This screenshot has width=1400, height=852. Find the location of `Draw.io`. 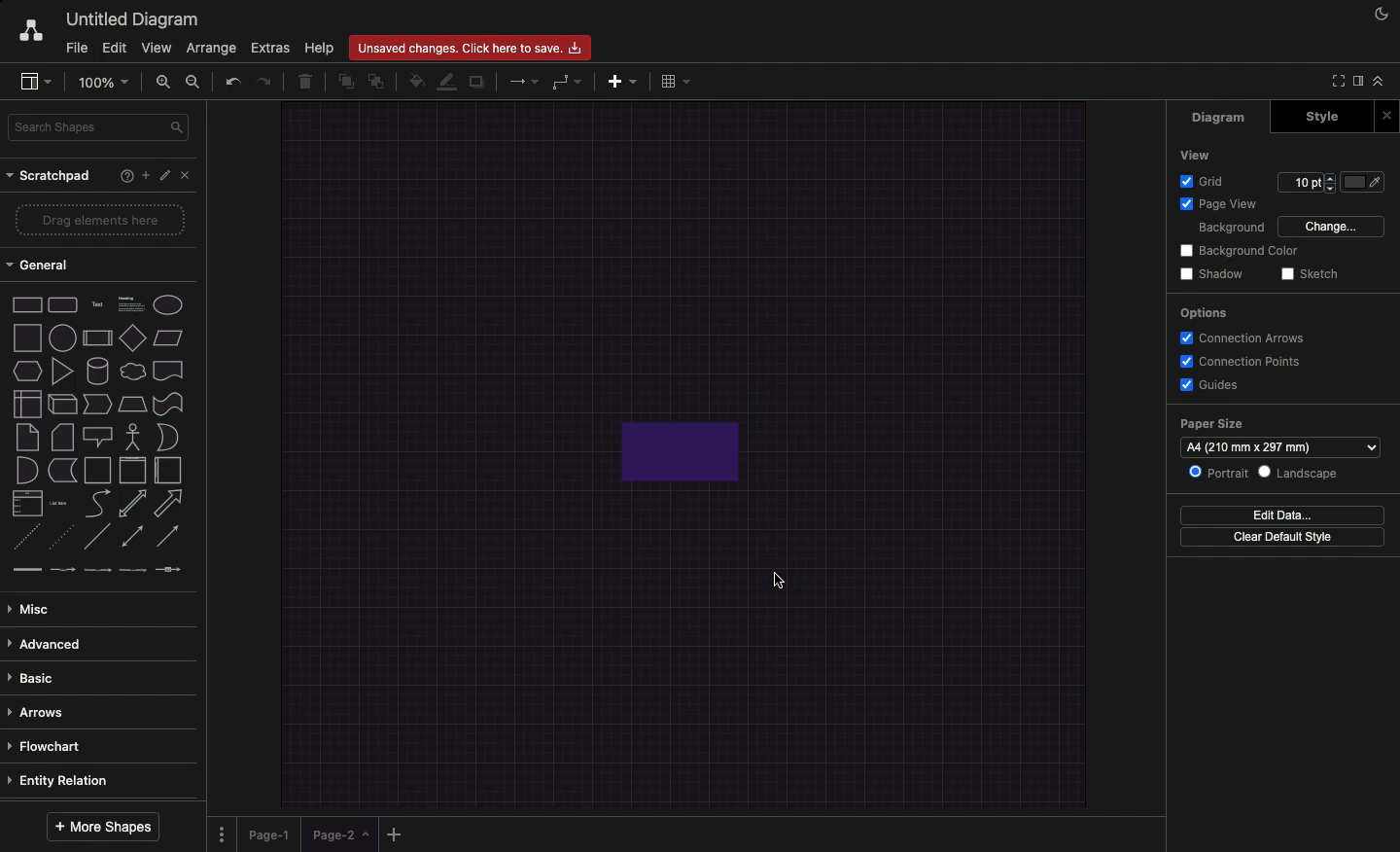

Draw.io is located at coordinates (30, 29).